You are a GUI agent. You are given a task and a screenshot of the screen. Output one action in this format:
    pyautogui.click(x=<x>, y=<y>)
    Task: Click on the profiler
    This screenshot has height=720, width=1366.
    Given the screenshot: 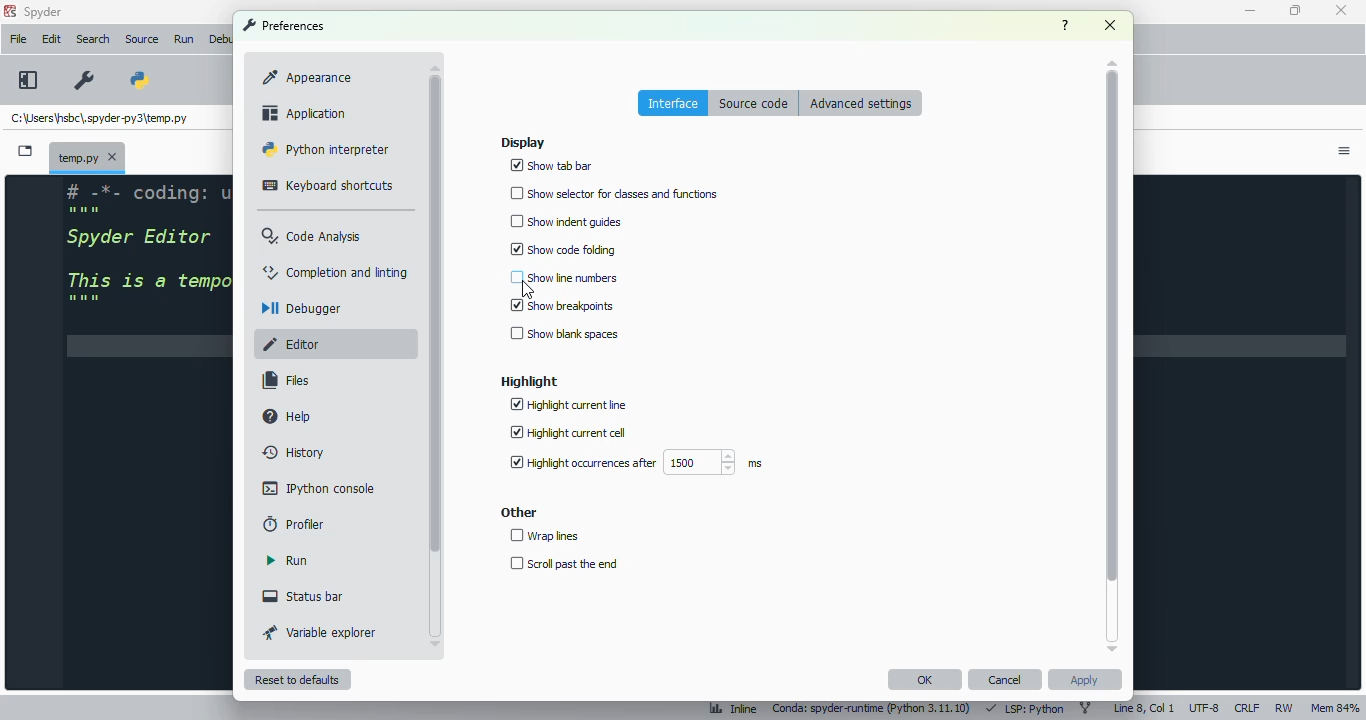 What is the action you would take?
    pyautogui.click(x=294, y=524)
    